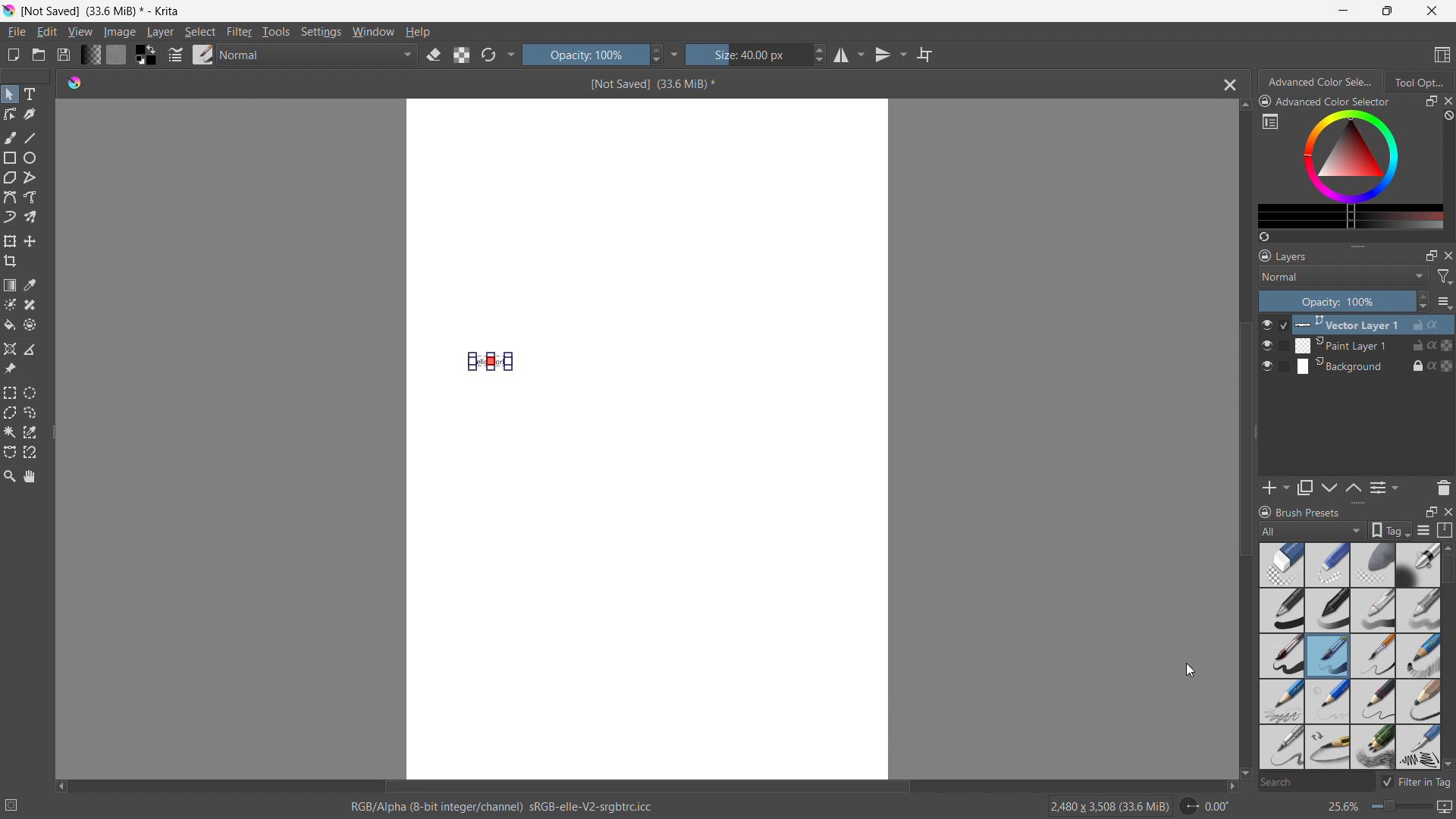  Describe the element at coordinates (80, 32) in the screenshot. I see `view` at that location.